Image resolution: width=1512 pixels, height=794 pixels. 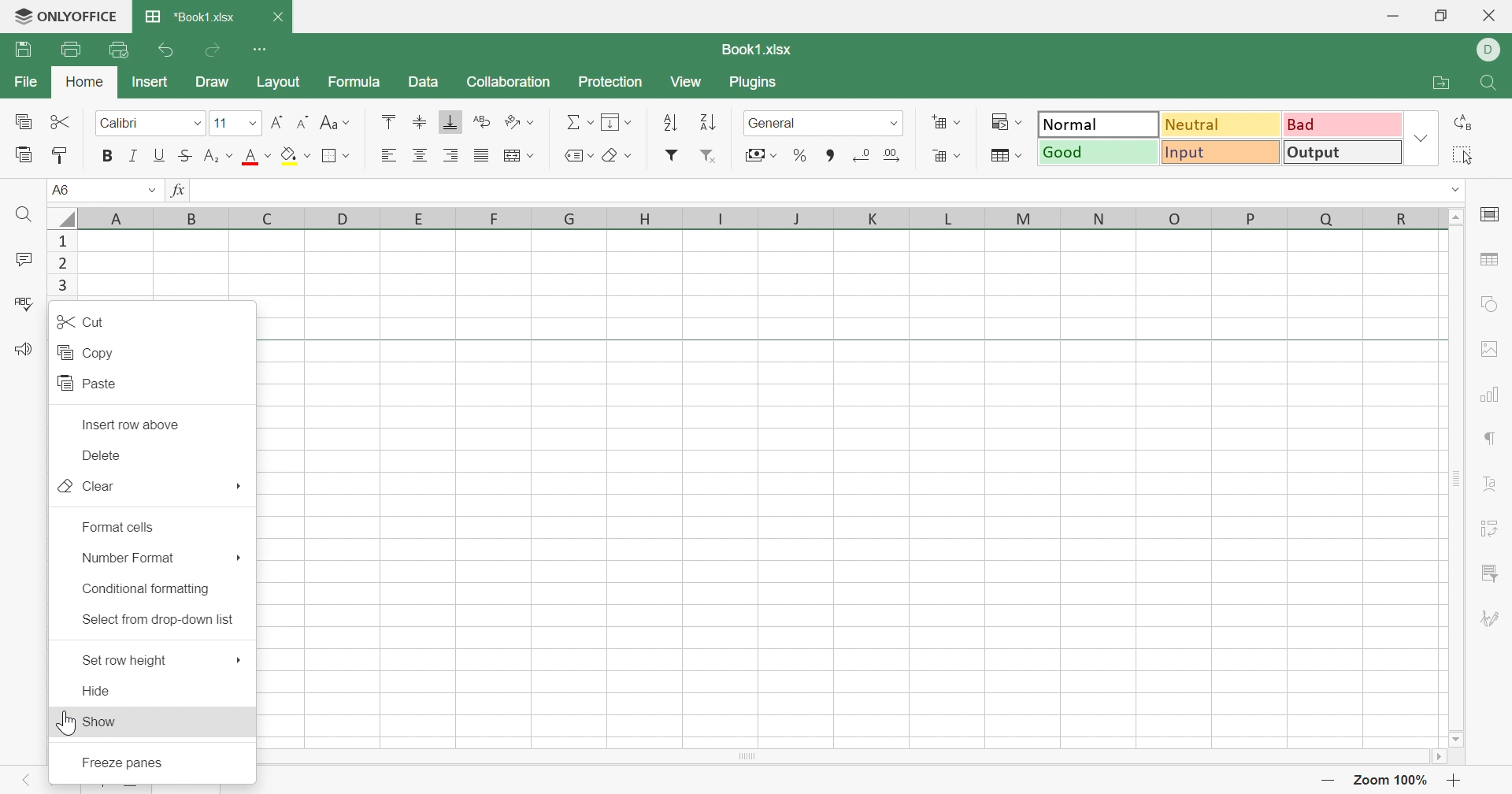 I want to click on Plugins, so click(x=752, y=81).